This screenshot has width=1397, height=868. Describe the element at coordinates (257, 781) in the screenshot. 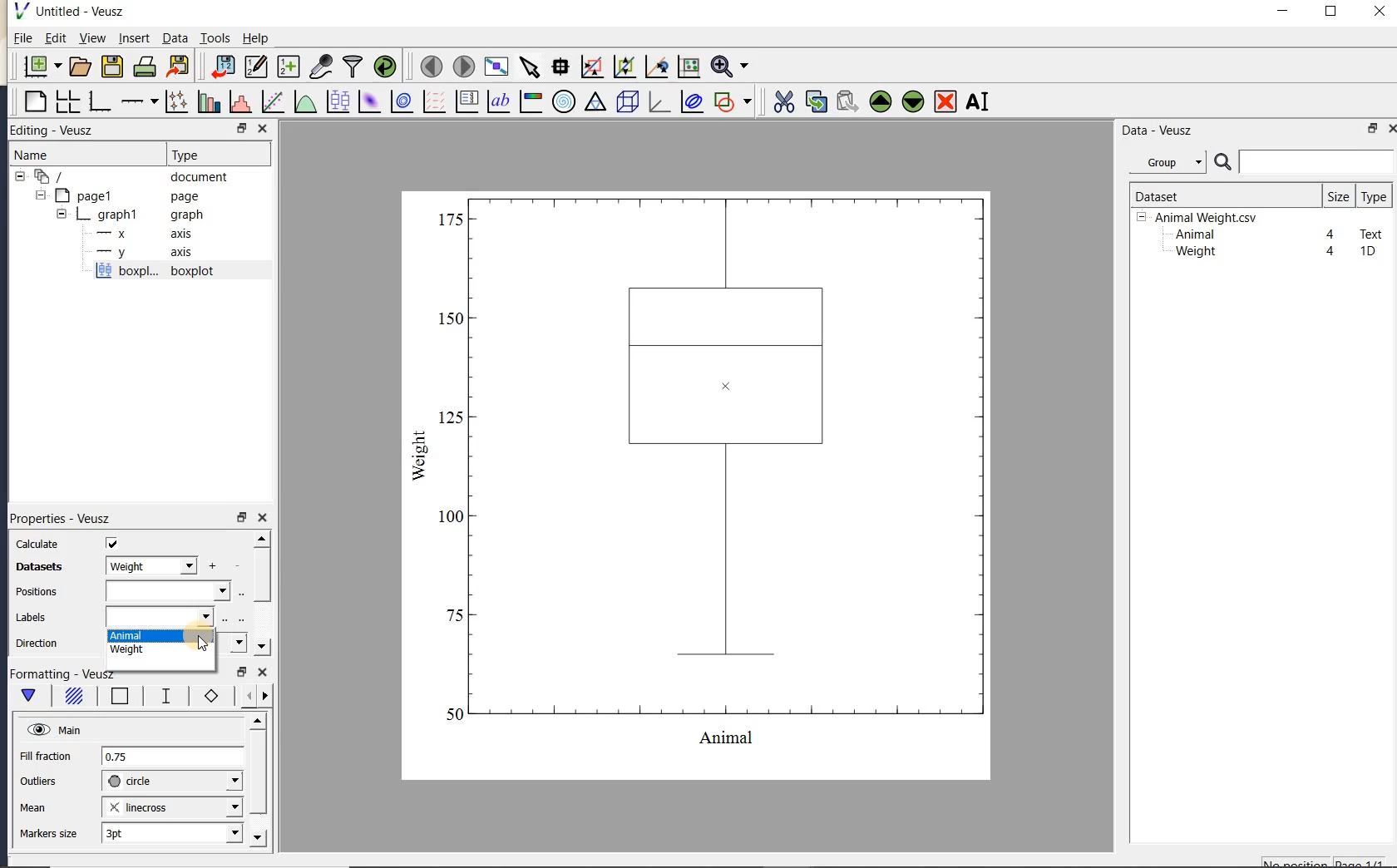

I see `scrollbar` at that location.